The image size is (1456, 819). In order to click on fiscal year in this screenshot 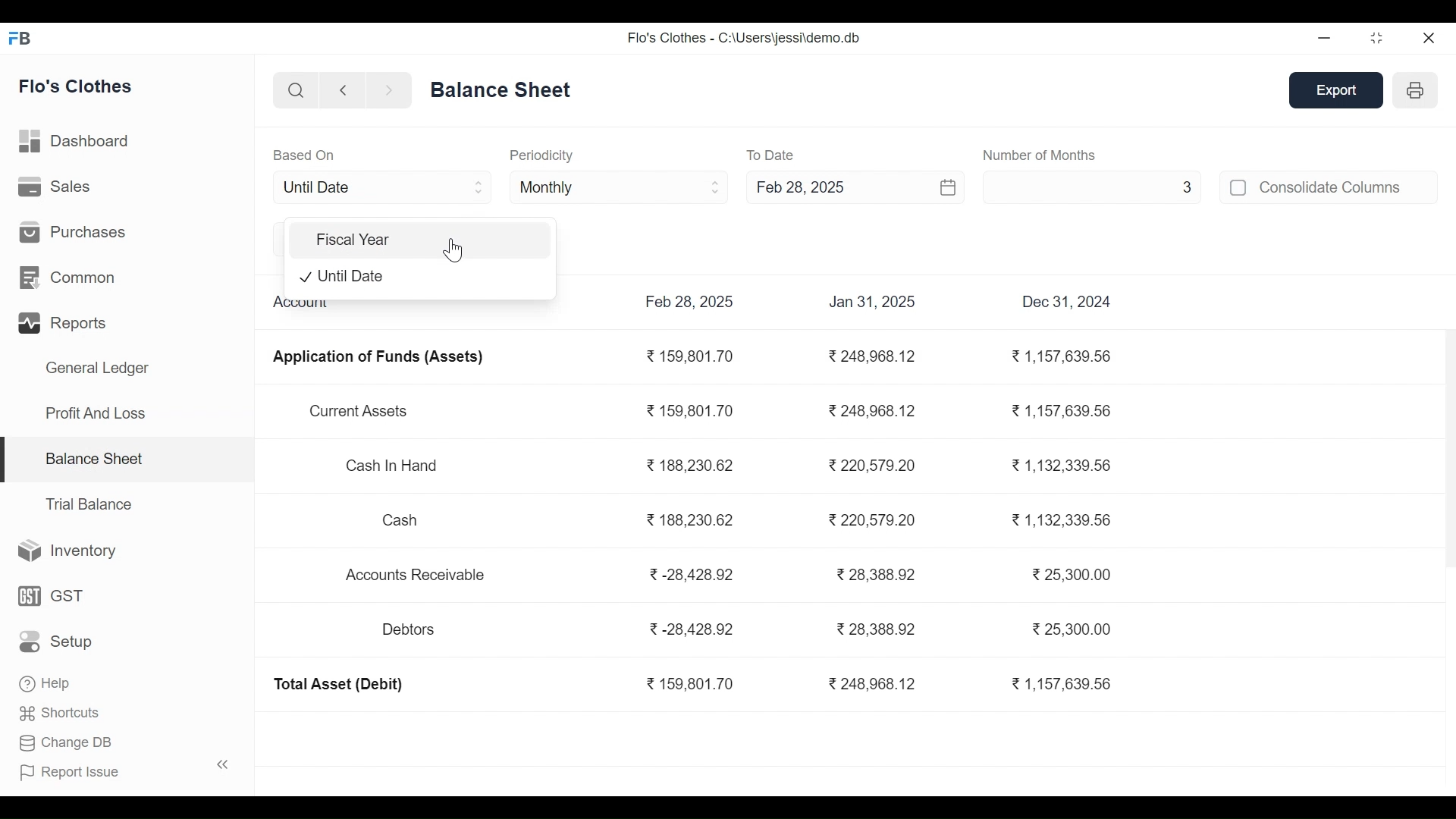, I will do `click(420, 240)`.